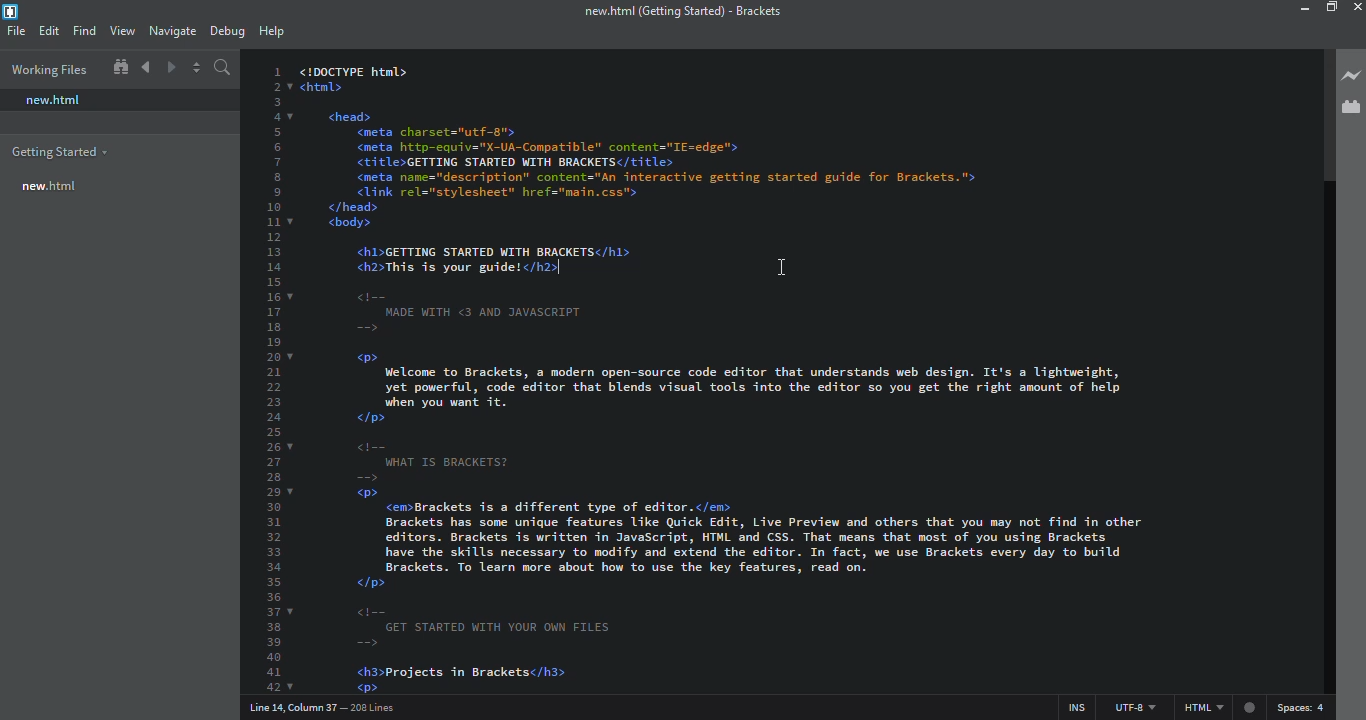 The image size is (1366, 720). Describe the element at coordinates (119, 68) in the screenshot. I see `show in file tree` at that location.